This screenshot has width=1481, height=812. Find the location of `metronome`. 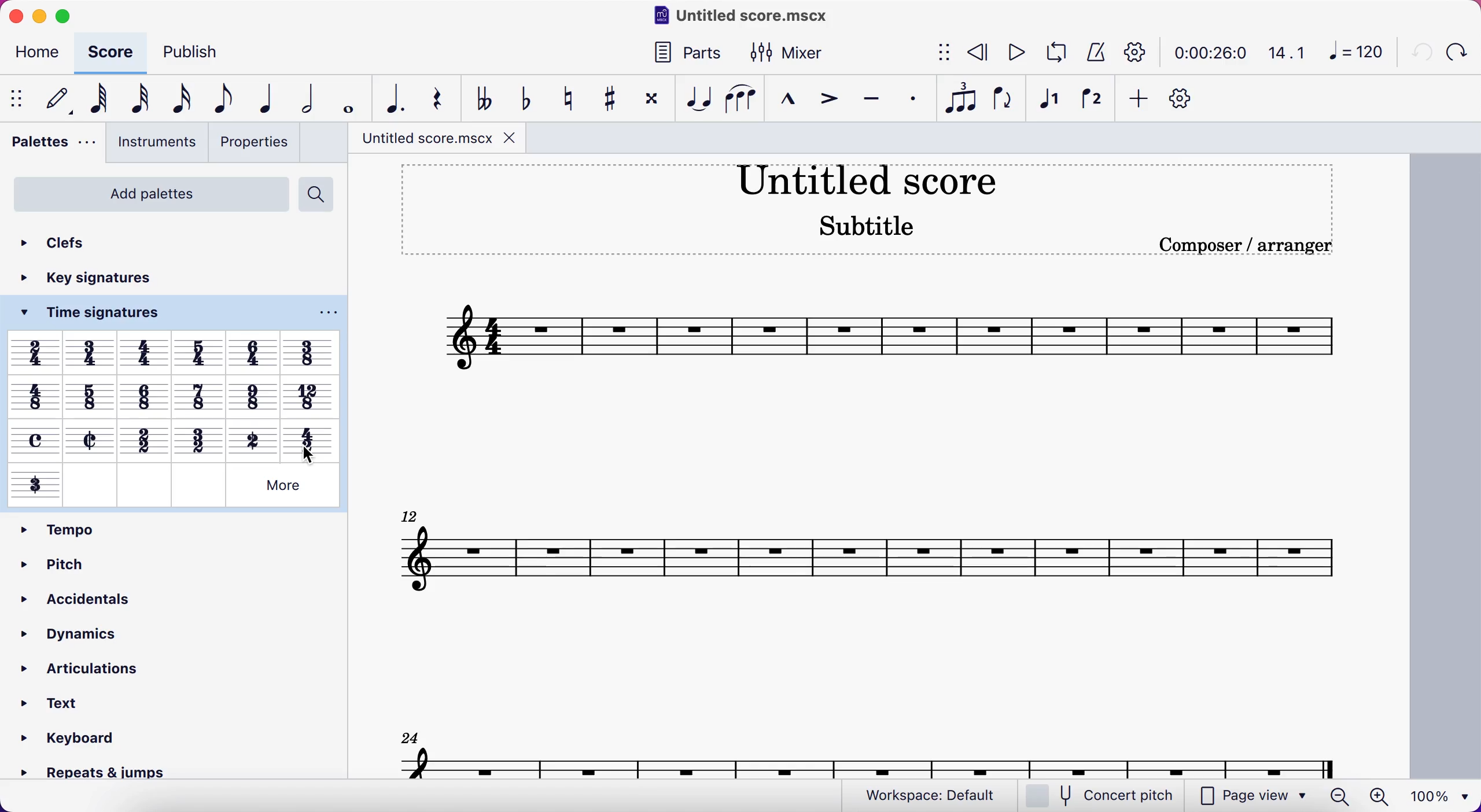

metronome is located at coordinates (1092, 53).